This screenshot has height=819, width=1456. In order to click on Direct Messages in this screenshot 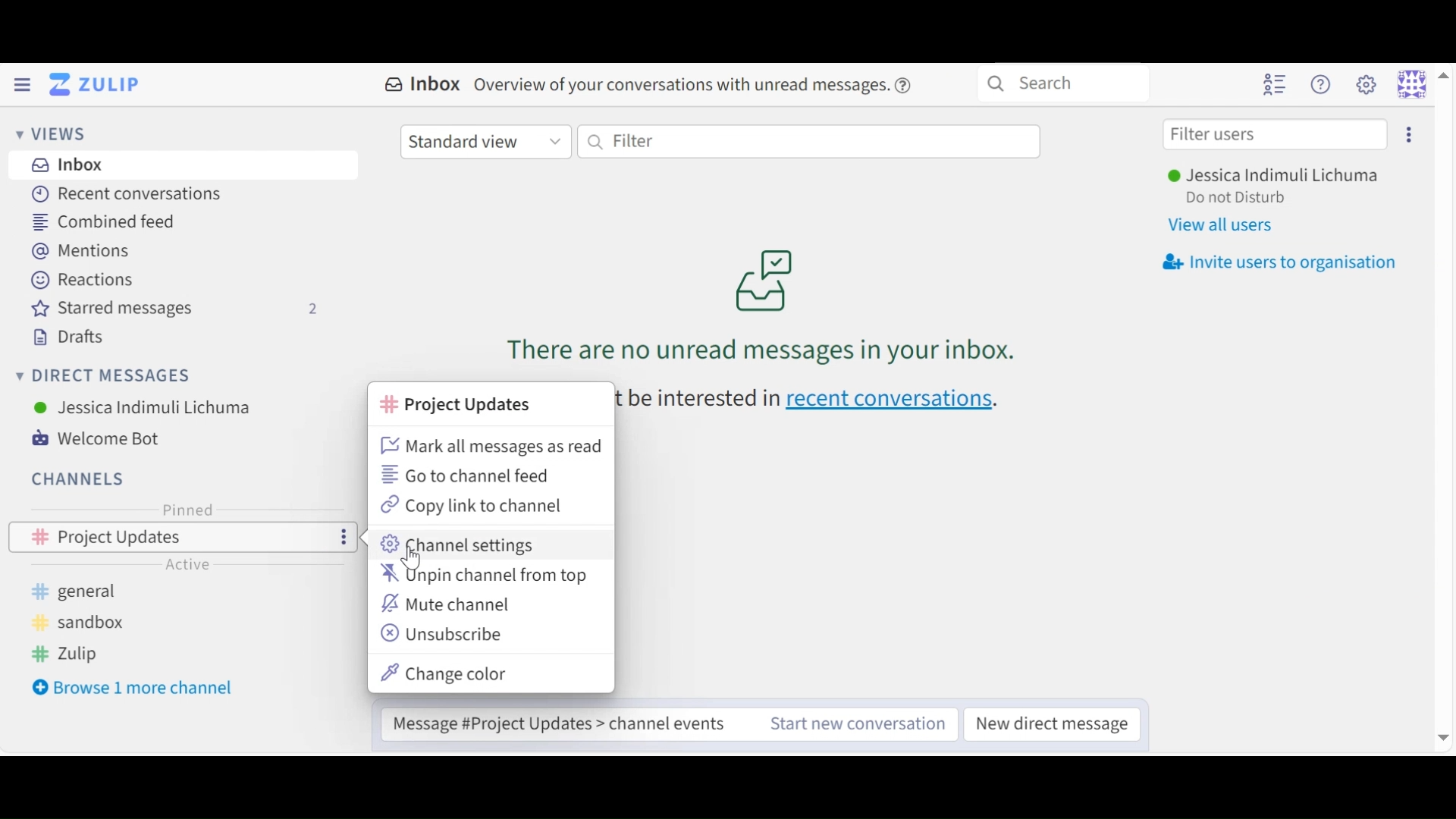, I will do `click(102, 375)`.